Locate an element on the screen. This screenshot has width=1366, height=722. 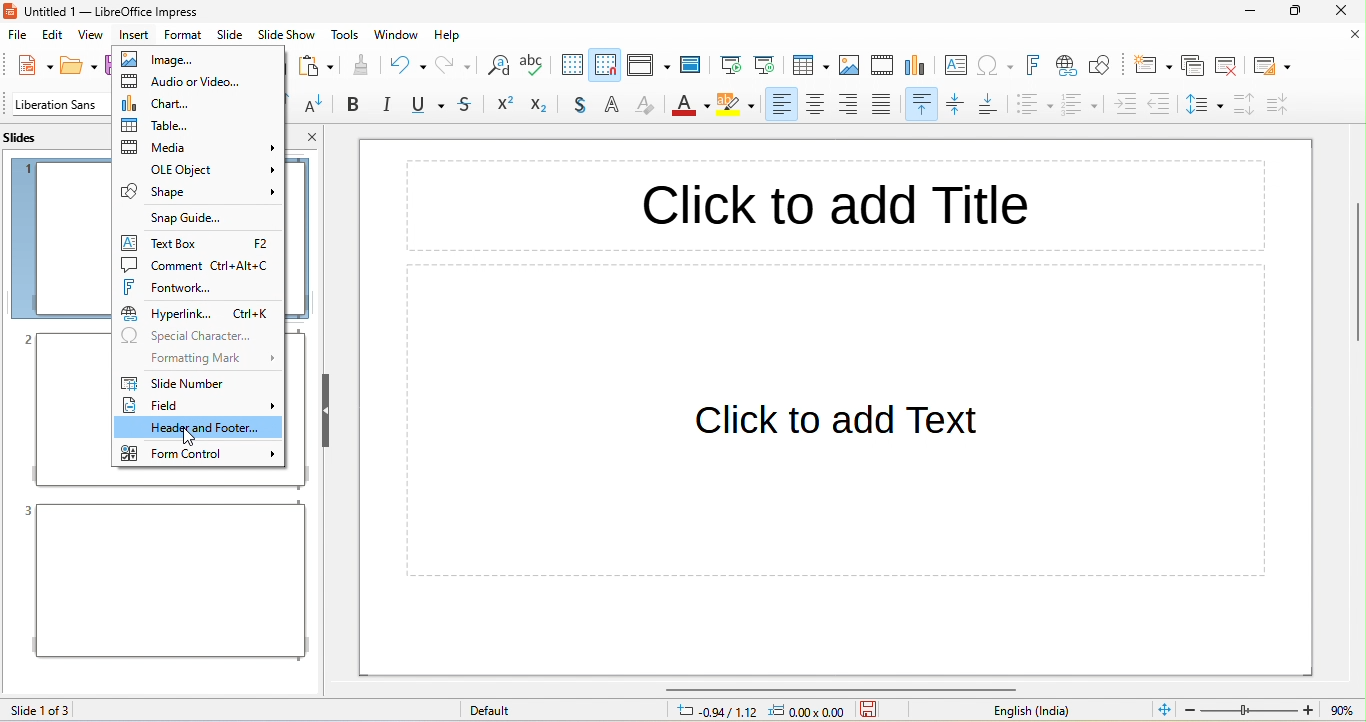
vertical scroll bar is located at coordinates (1355, 272).